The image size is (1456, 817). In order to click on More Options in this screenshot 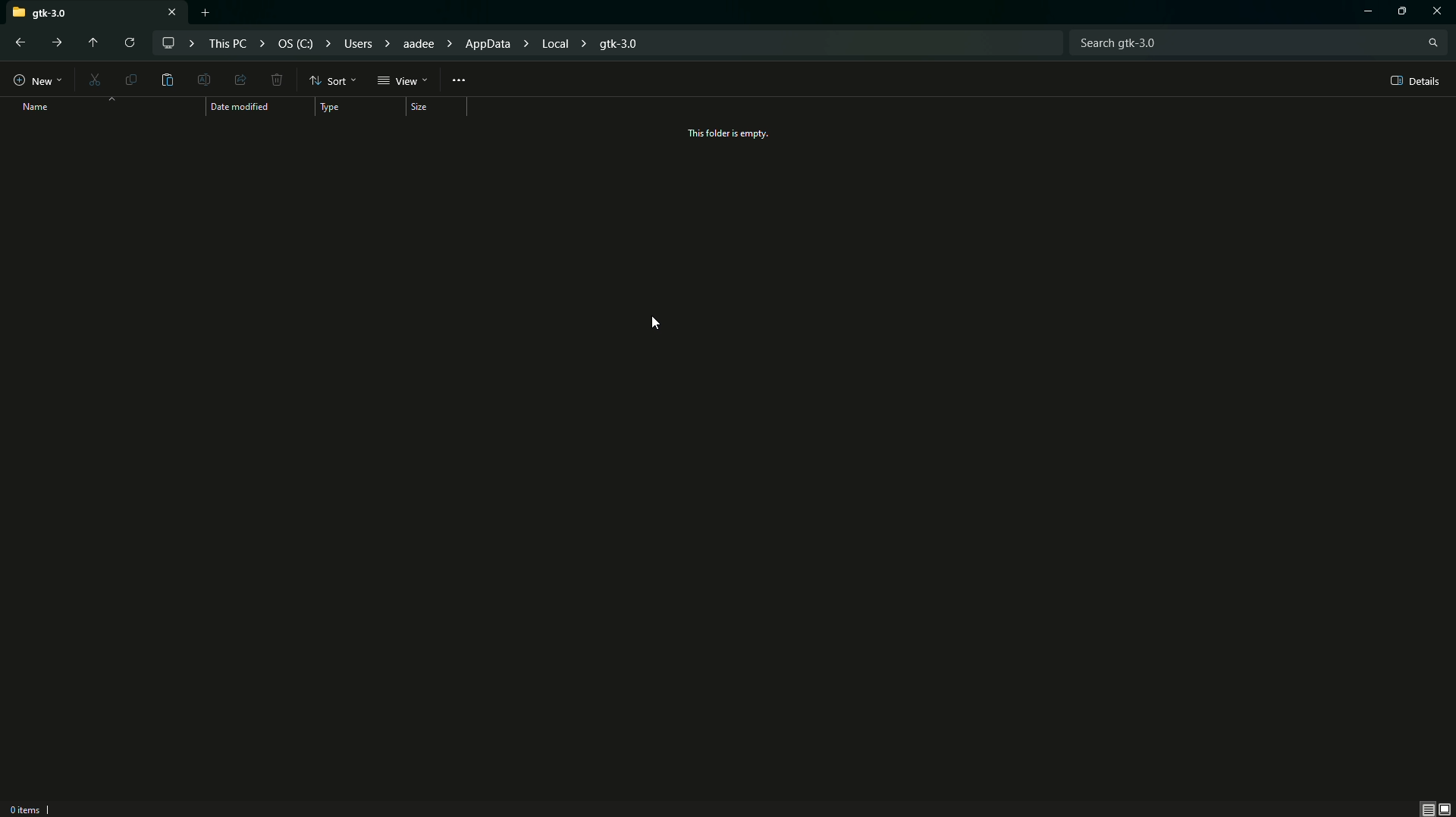, I will do `click(460, 79)`.